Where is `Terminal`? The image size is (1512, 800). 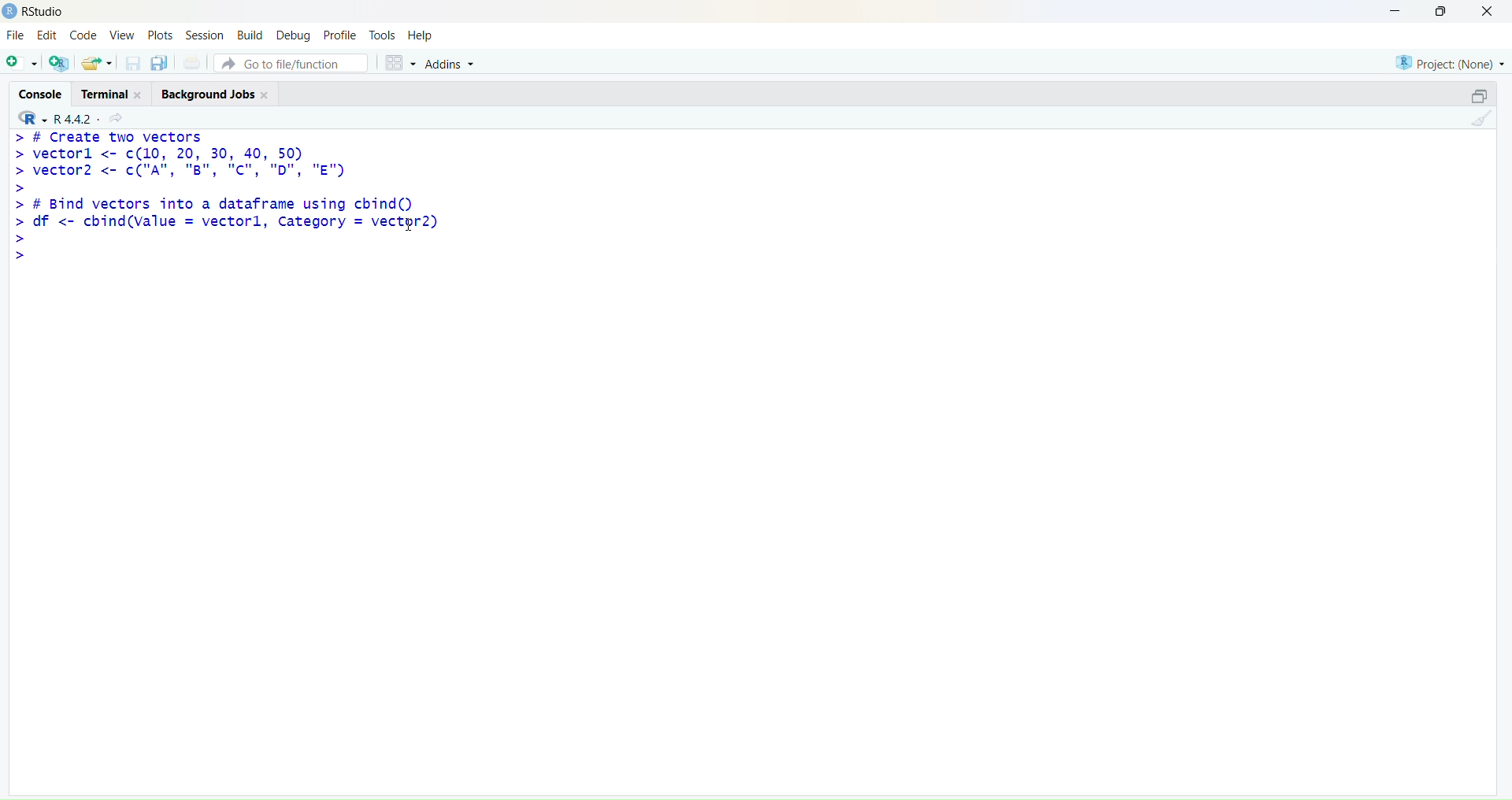
Terminal is located at coordinates (109, 94).